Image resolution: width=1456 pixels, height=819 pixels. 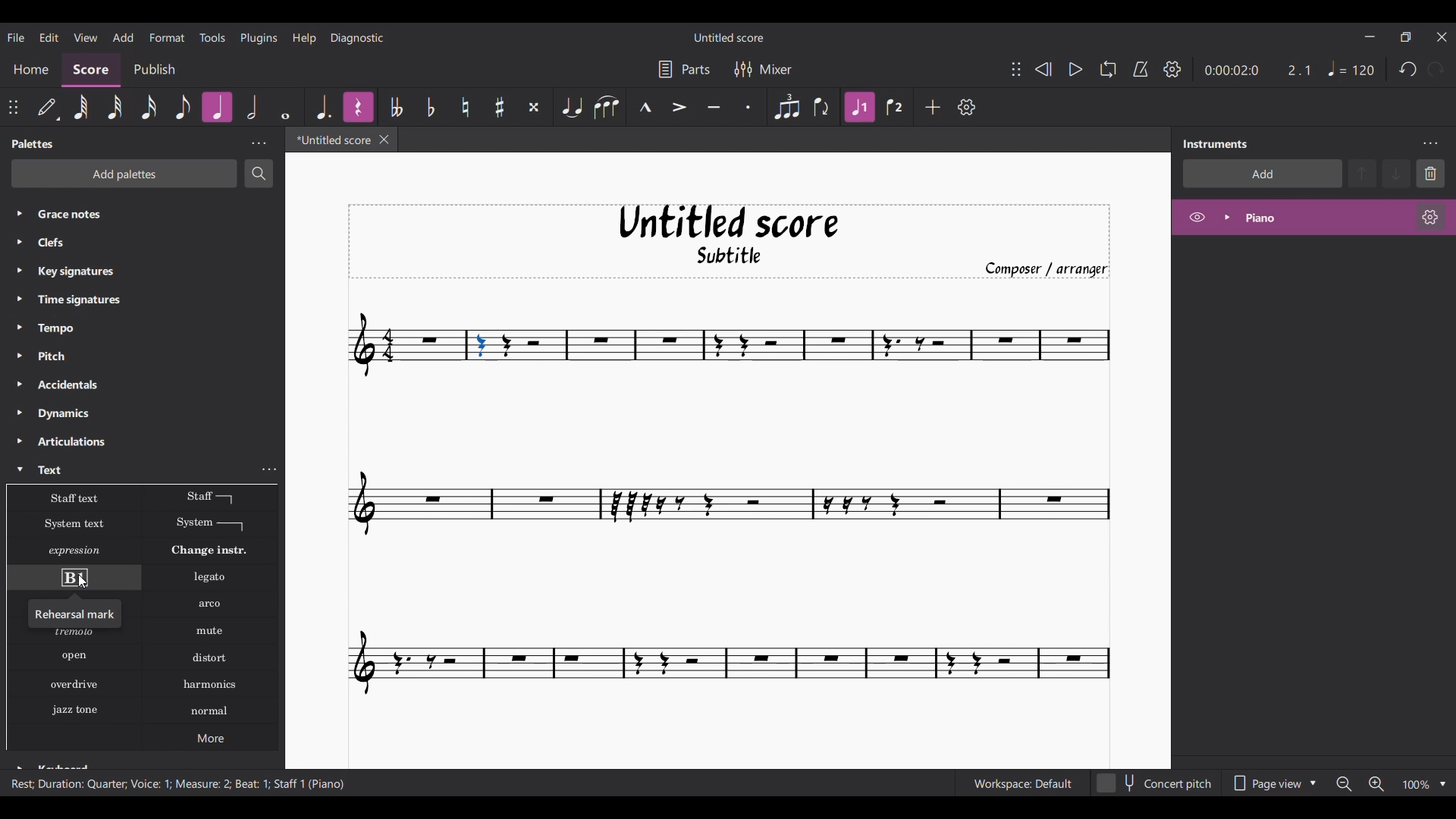 I want to click on Delete selection, so click(x=1430, y=173).